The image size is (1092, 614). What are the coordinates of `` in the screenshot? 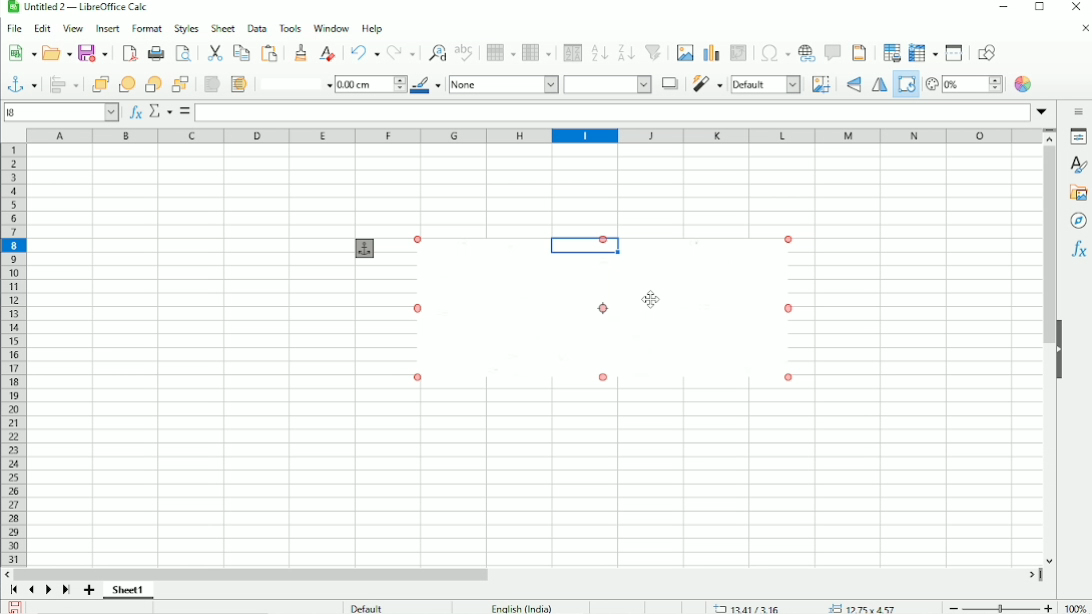 It's located at (181, 84).